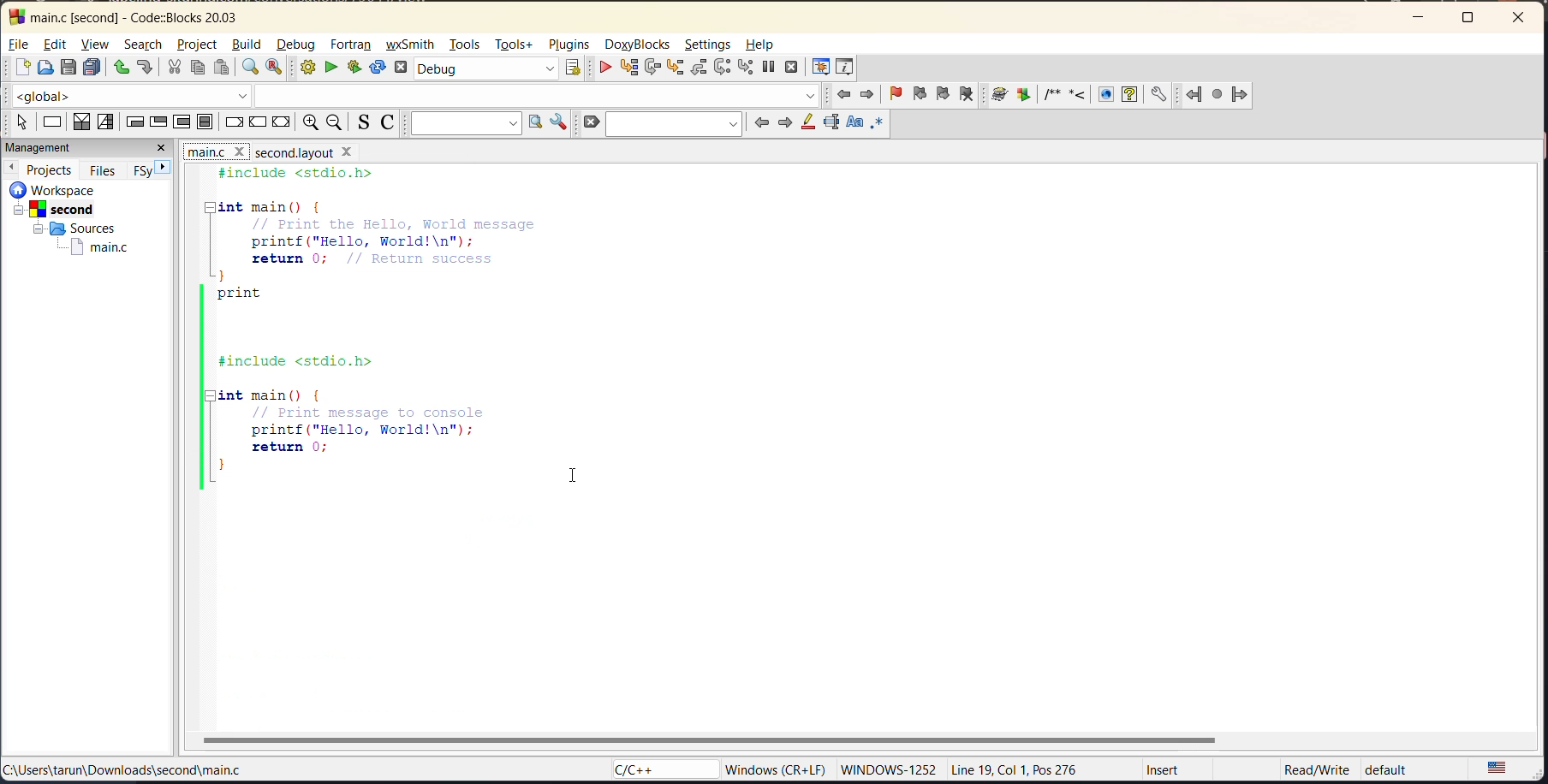 The height and width of the screenshot is (784, 1548). I want to click on build, so click(250, 46).